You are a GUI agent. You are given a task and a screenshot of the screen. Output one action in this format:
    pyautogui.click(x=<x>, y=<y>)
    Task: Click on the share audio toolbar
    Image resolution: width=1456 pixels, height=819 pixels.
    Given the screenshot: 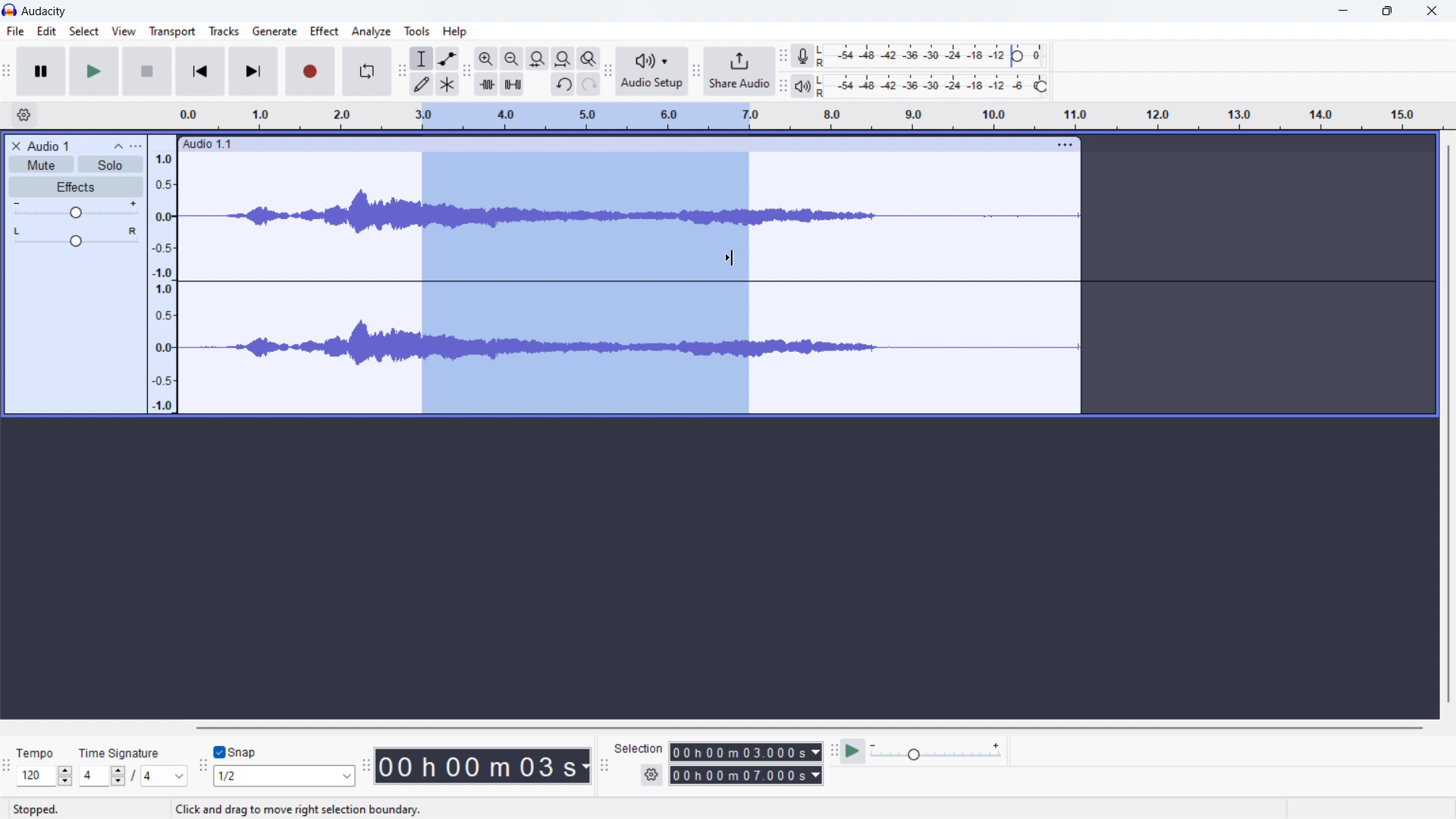 What is the action you would take?
    pyautogui.click(x=696, y=73)
    